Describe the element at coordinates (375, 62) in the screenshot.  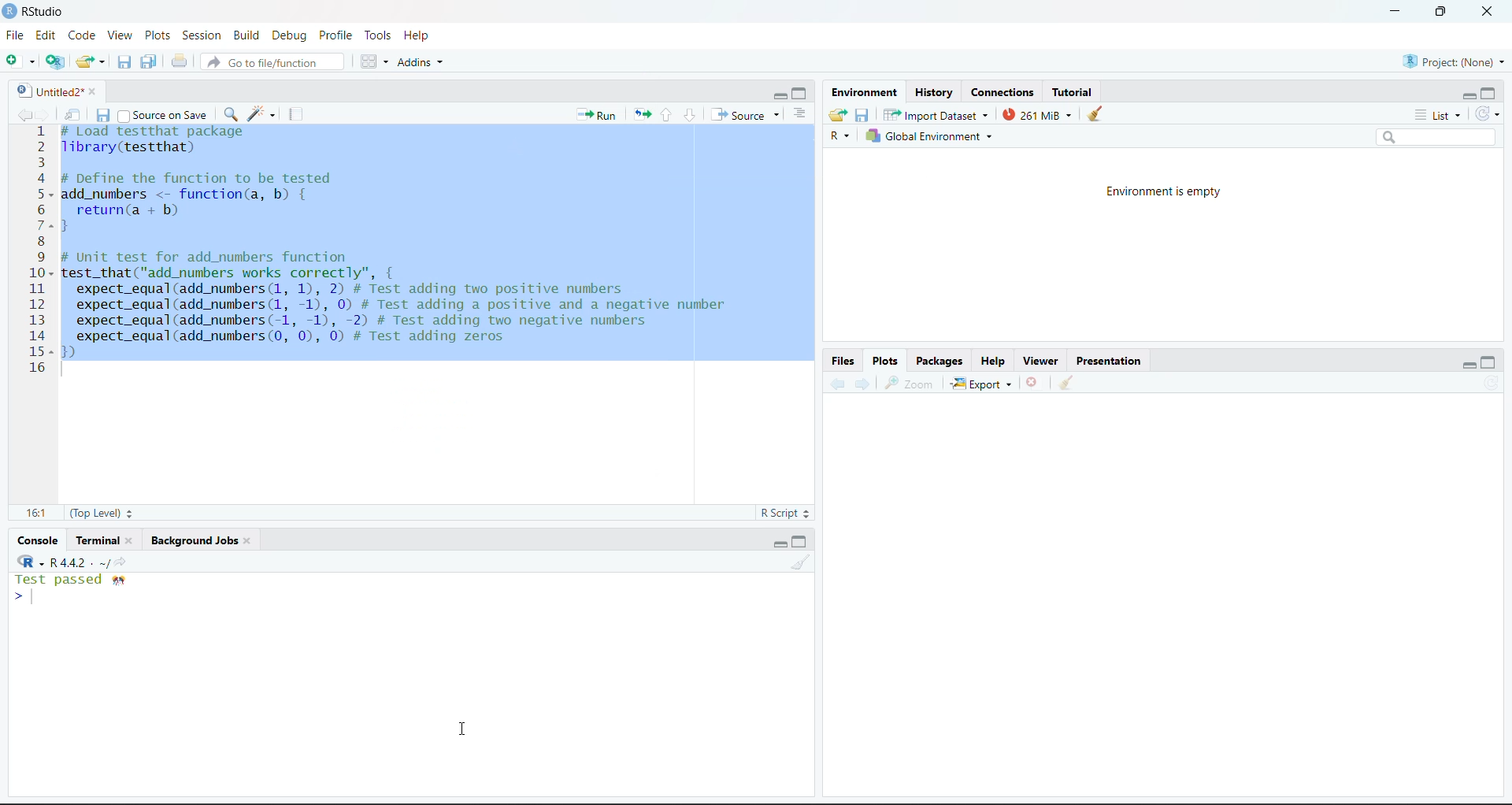
I see `Workspace panes` at that location.